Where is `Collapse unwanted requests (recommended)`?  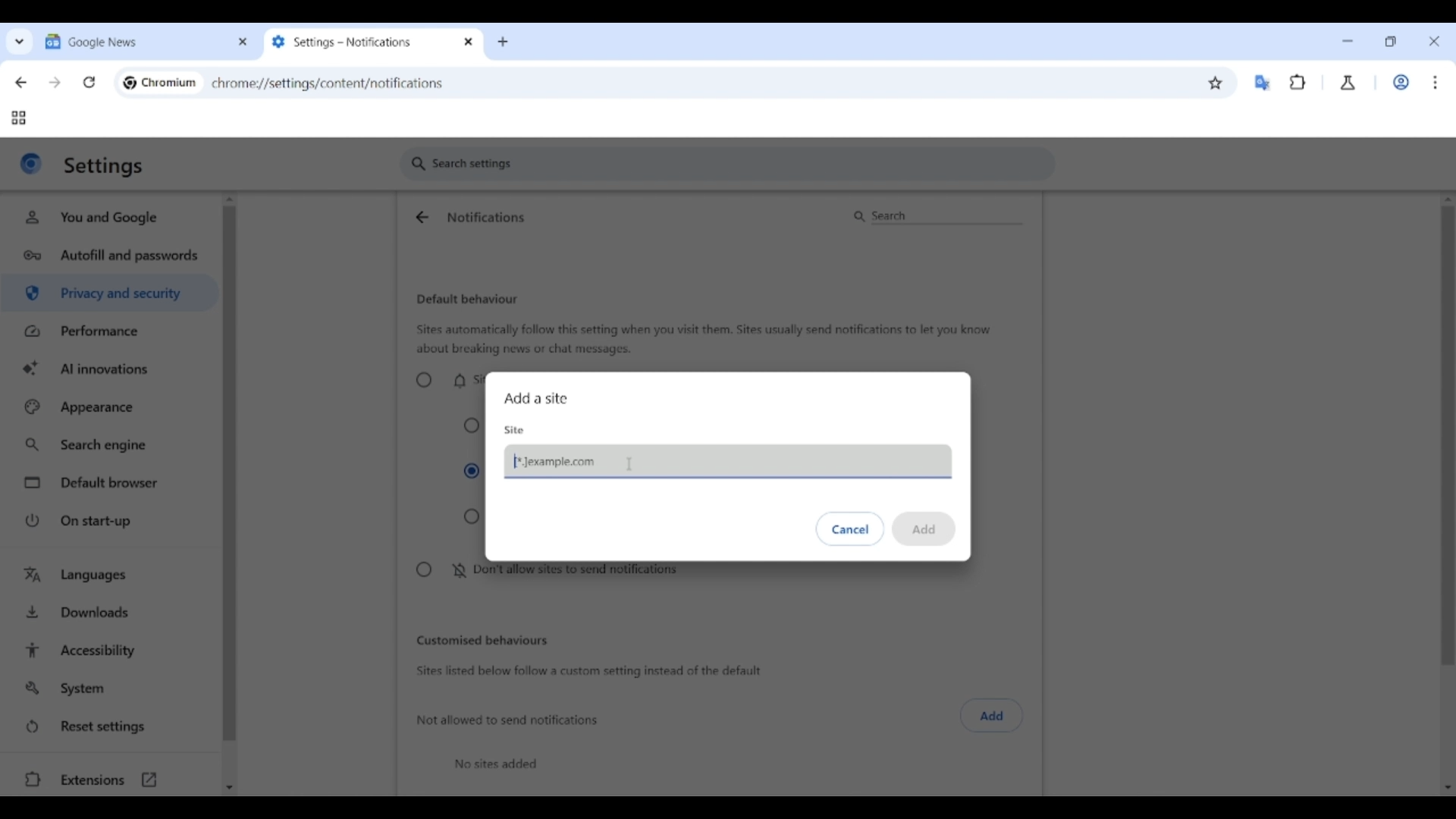 Collapse unwanted requests (recommended) is located at coordinates (472, 472).